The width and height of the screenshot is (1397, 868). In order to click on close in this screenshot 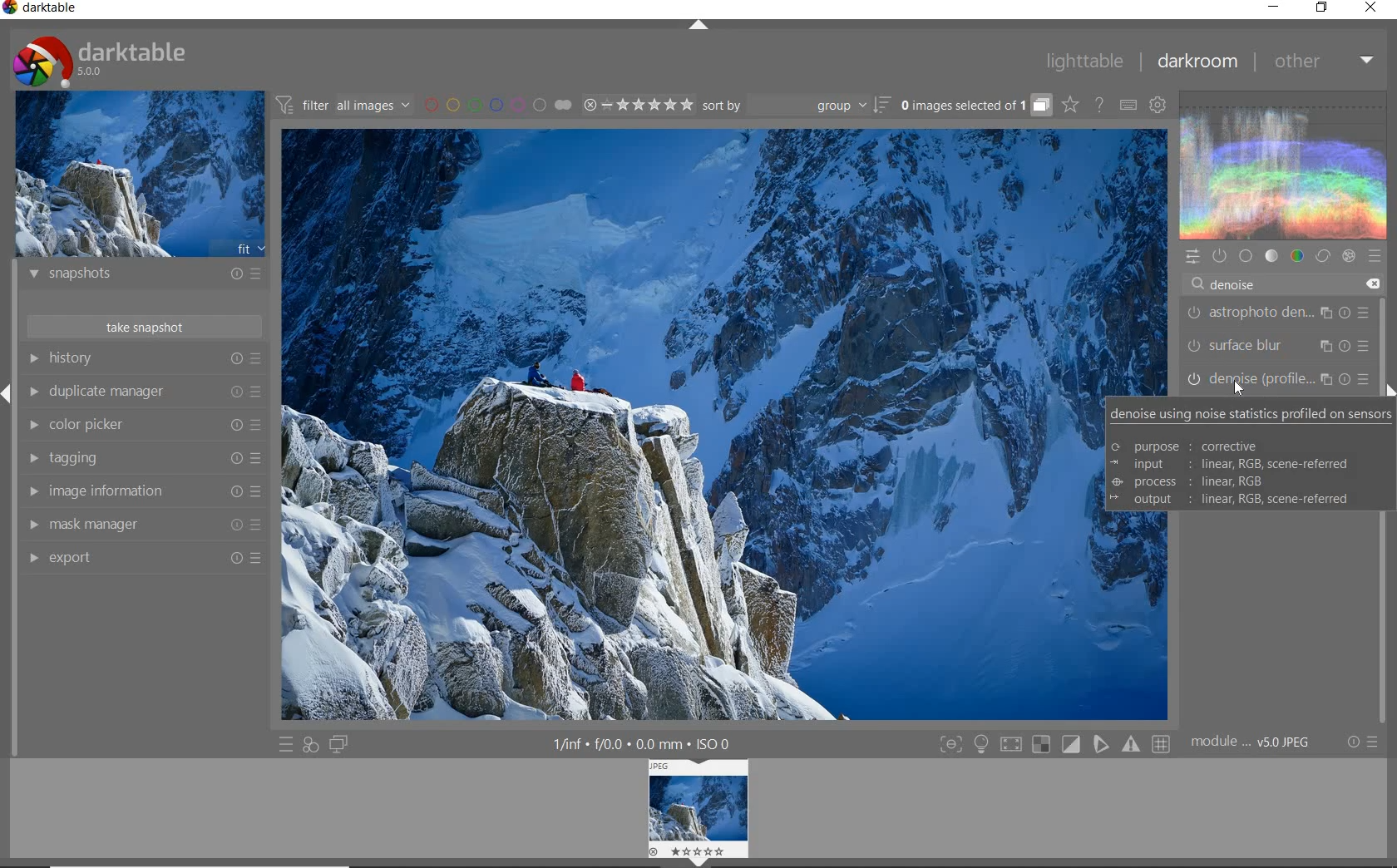, I will do `click(1371, 8)`.